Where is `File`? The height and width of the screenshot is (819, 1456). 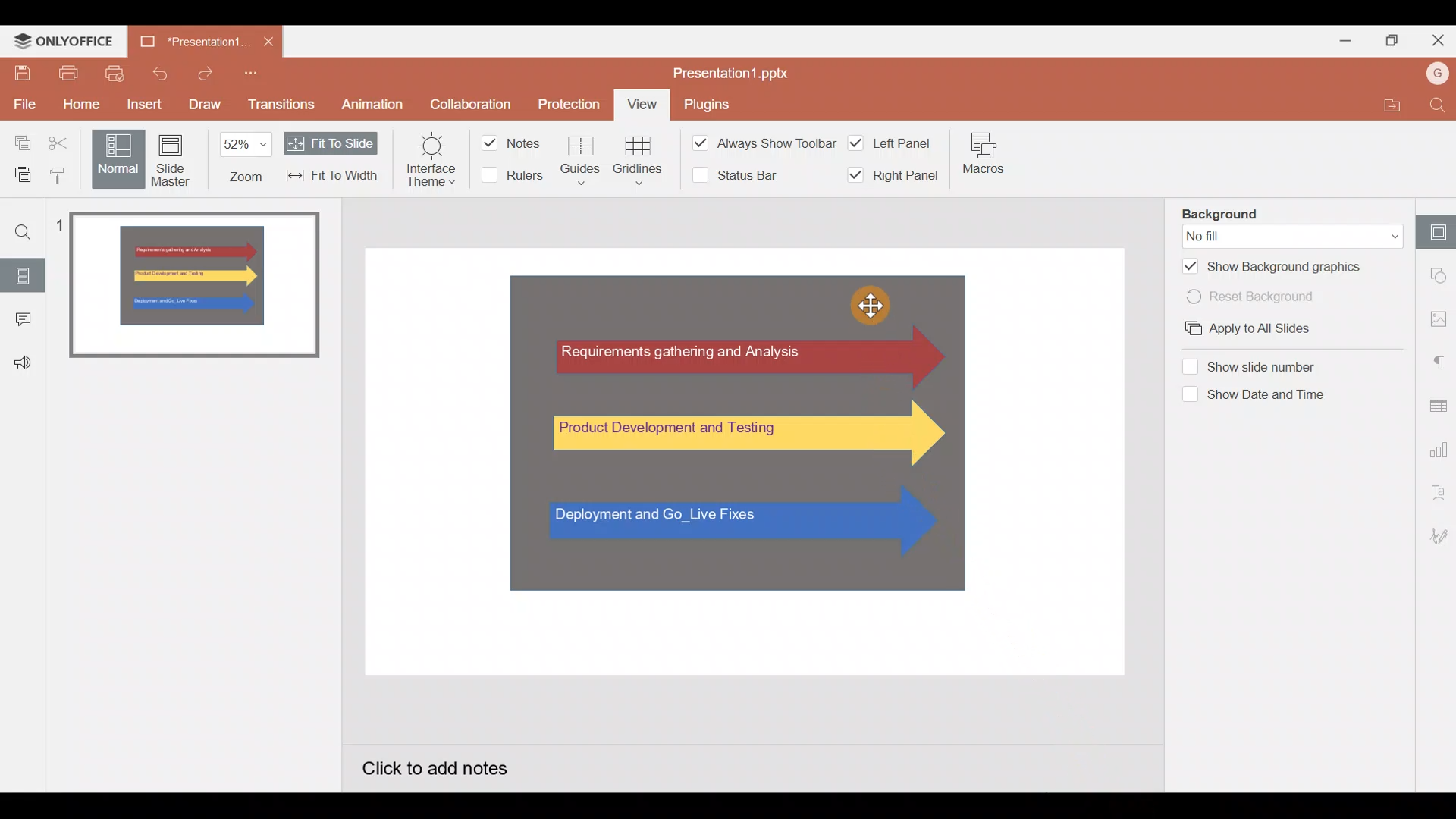 File is located at coordinates (23, 102).